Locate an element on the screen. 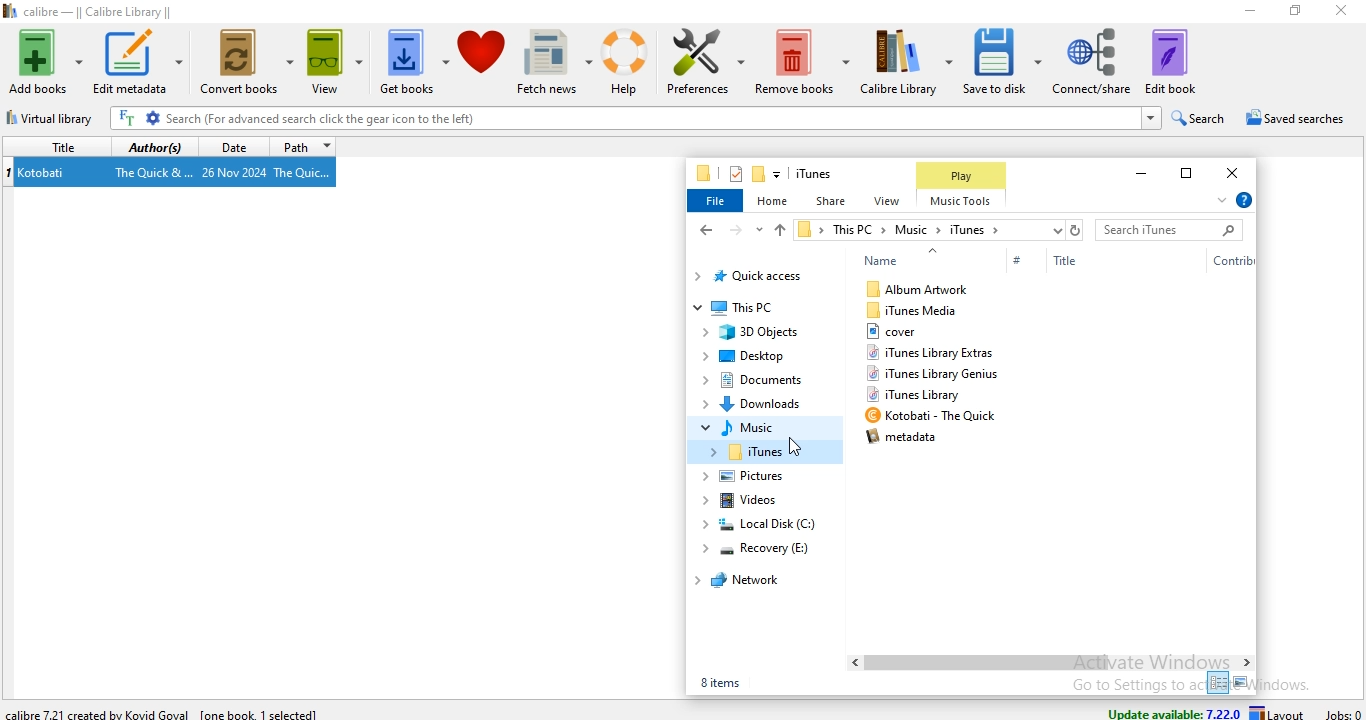 This screenshot has height=720, width=1366. large icon view is located at coordinates (1242, 682).